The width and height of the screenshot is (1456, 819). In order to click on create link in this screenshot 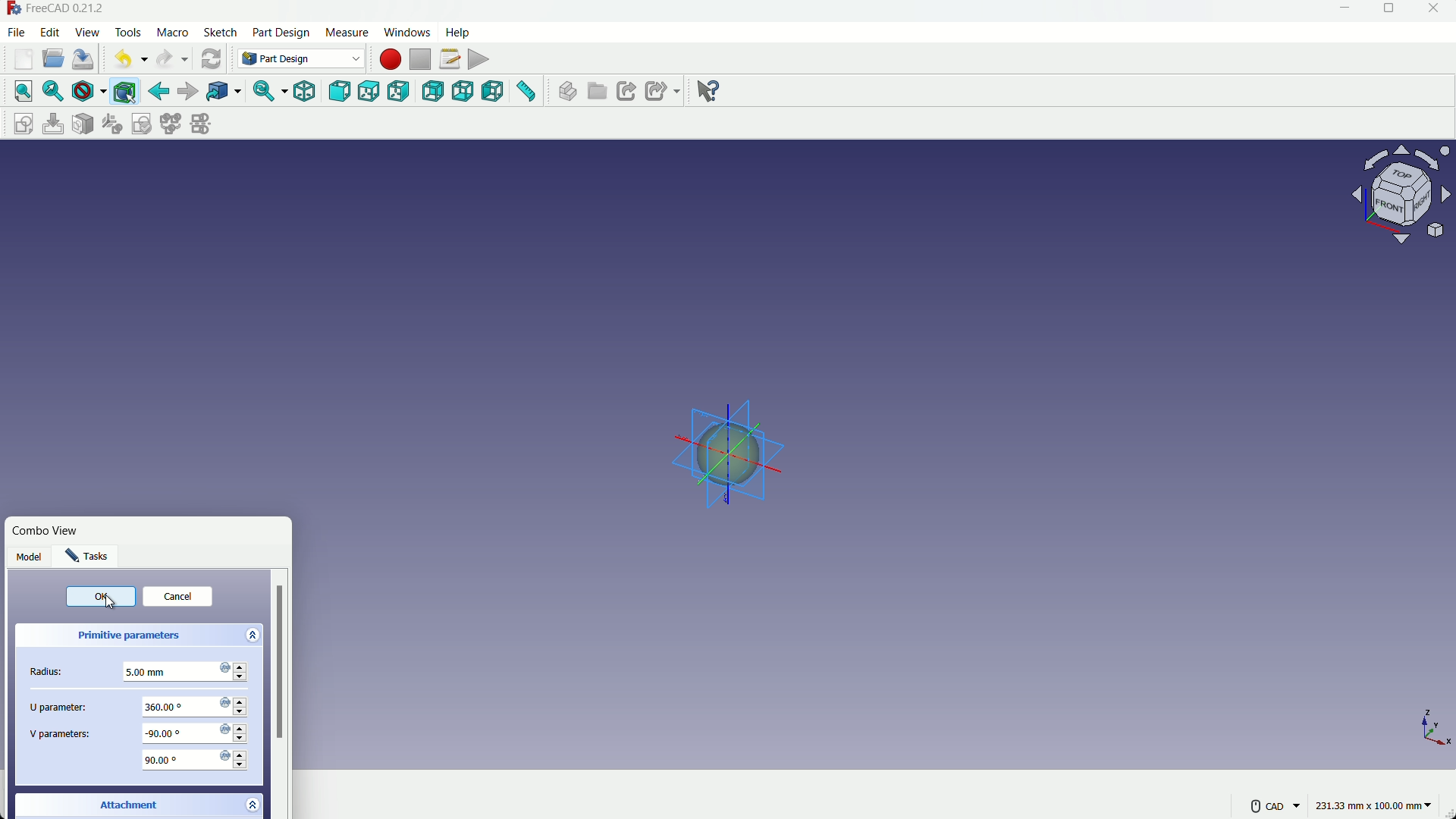, I will do `click(626, 91)`.